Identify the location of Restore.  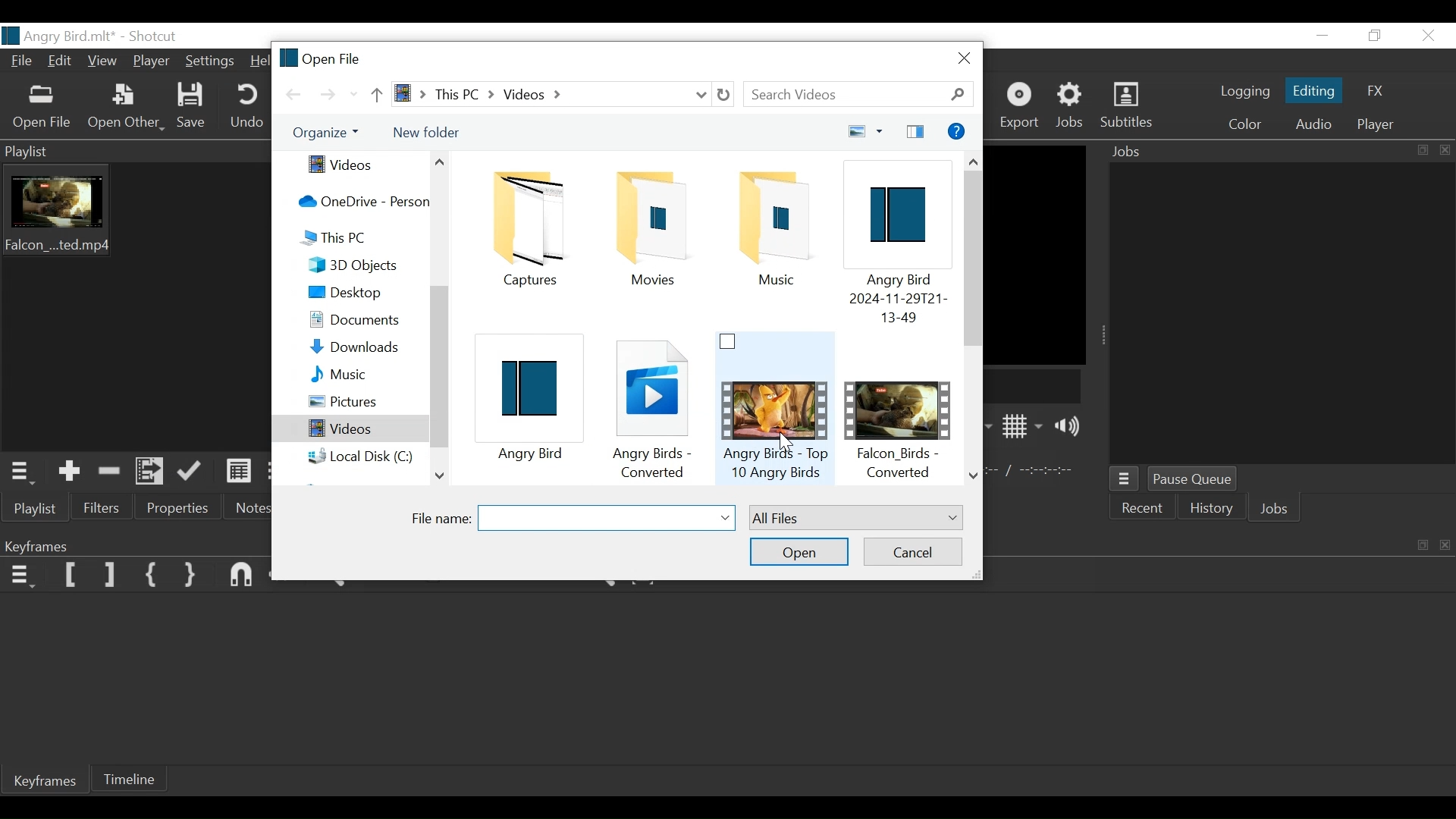
(1376, 36).